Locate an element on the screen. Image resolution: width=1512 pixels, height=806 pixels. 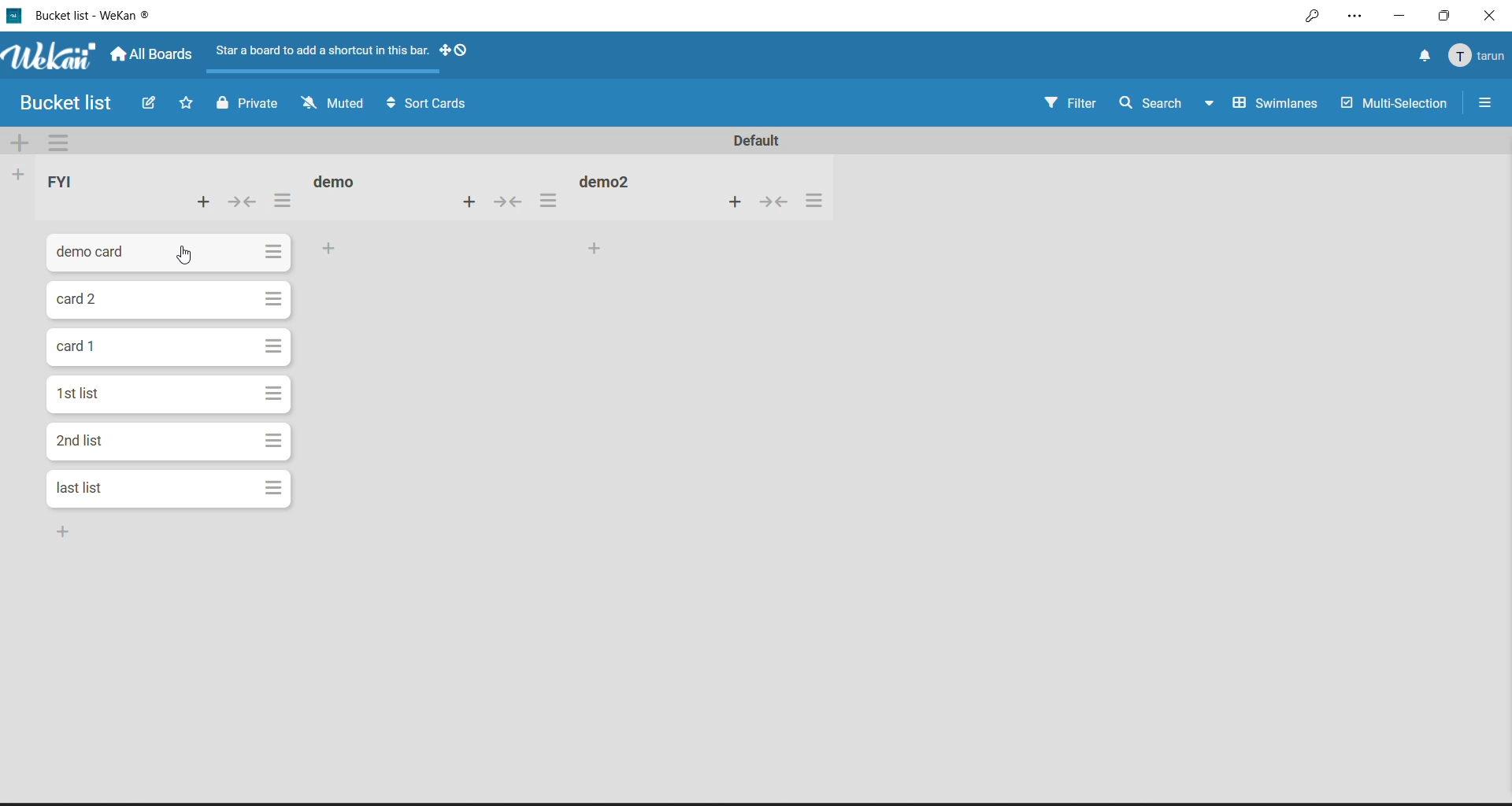
show desktop drag handles is located at coordinates (454, 51).